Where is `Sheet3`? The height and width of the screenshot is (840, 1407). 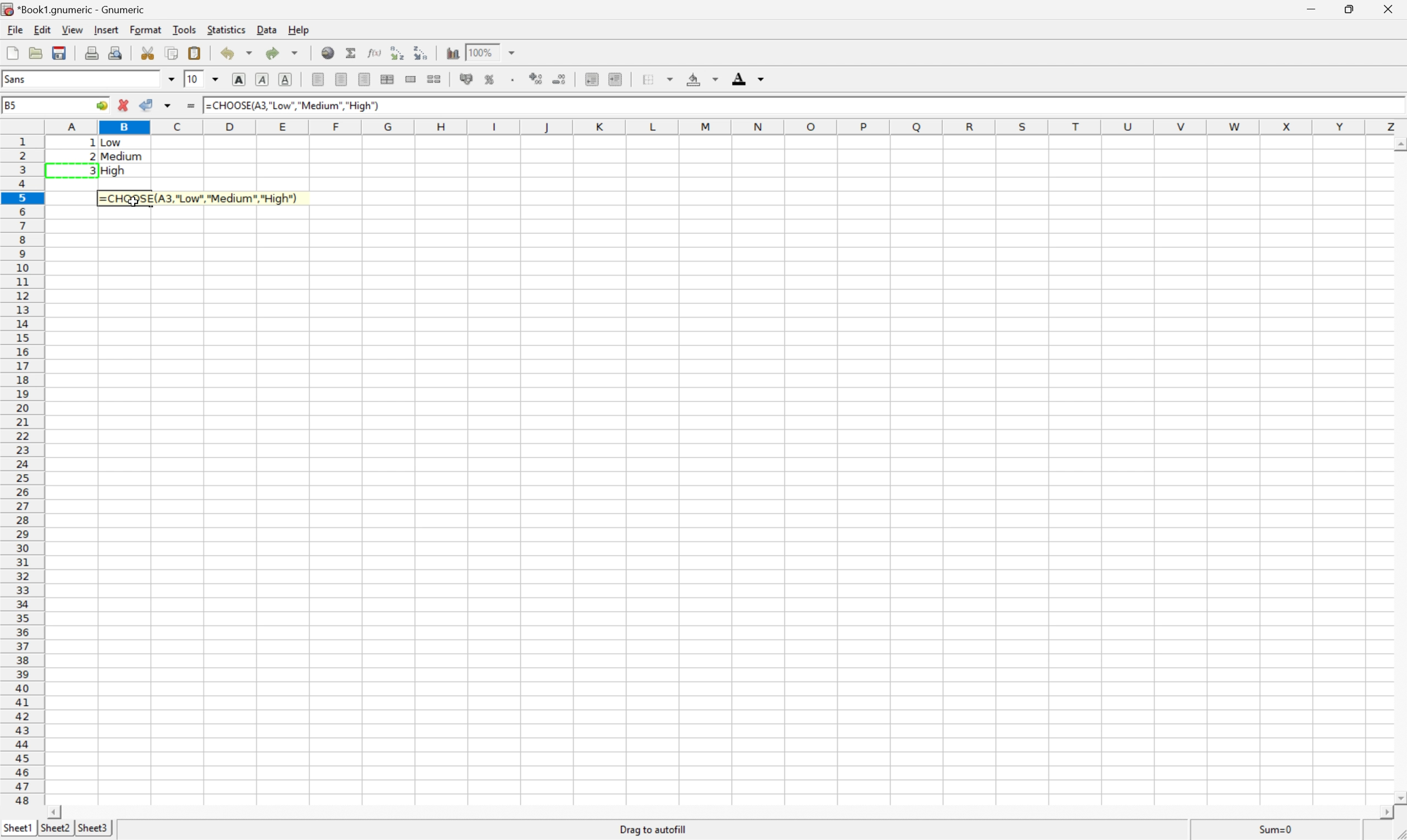 Sheet3 is located at coordinates (95, 831).